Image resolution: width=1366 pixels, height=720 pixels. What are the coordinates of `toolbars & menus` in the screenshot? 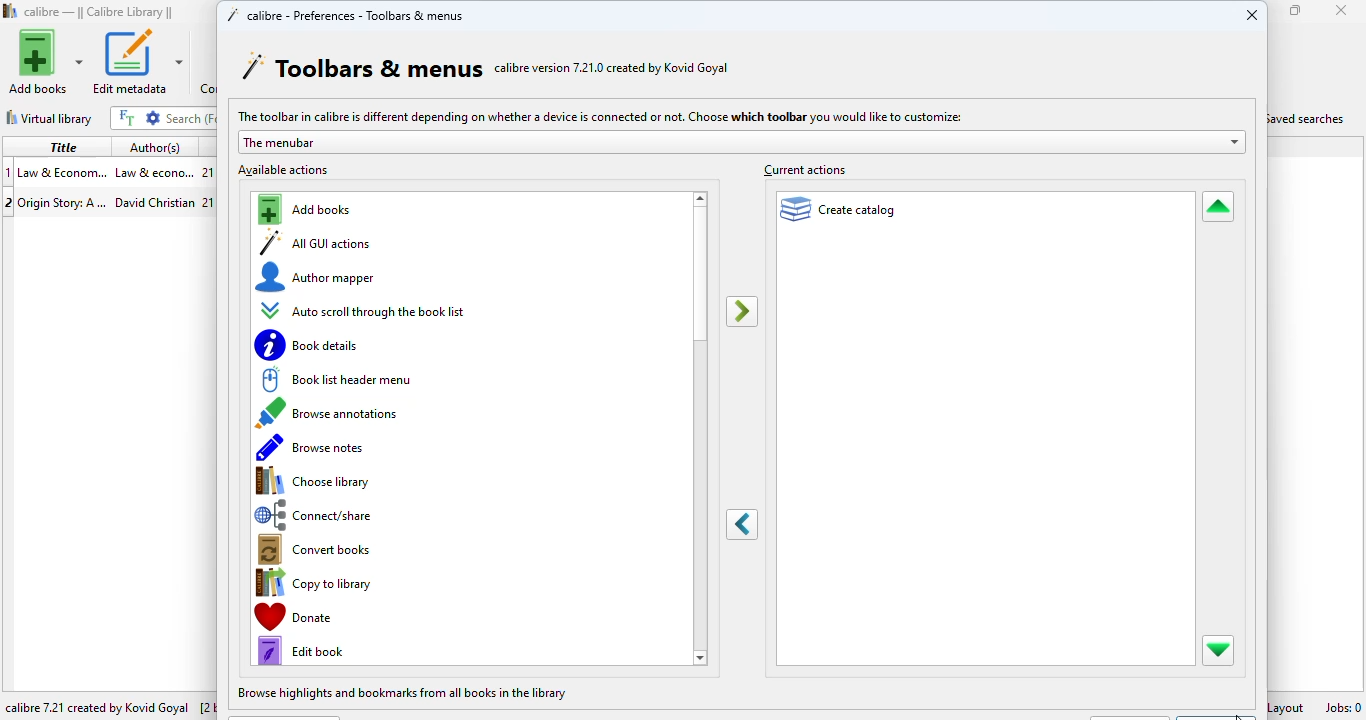 It's located at (362, 67).